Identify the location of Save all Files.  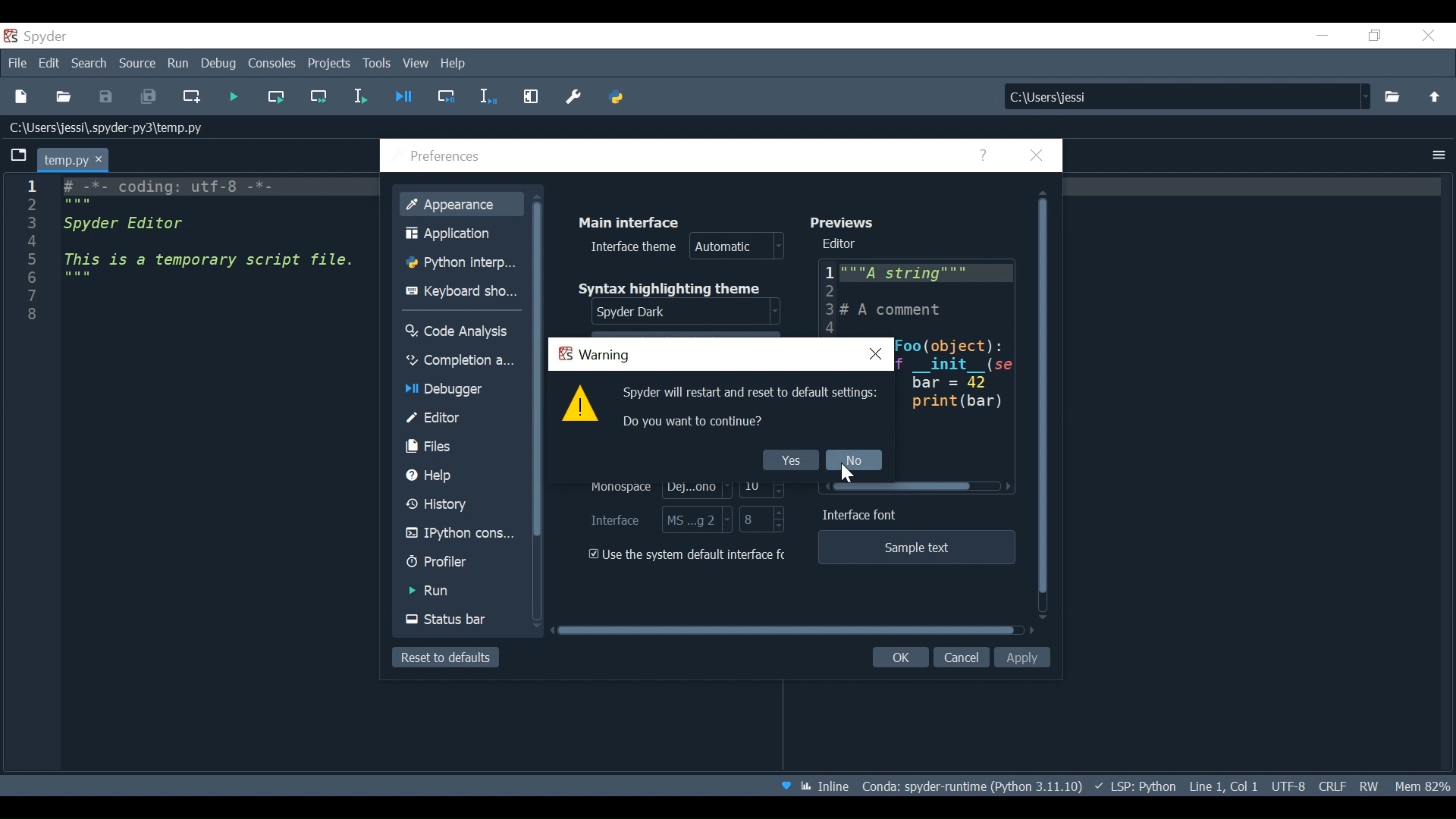
(149, 97).